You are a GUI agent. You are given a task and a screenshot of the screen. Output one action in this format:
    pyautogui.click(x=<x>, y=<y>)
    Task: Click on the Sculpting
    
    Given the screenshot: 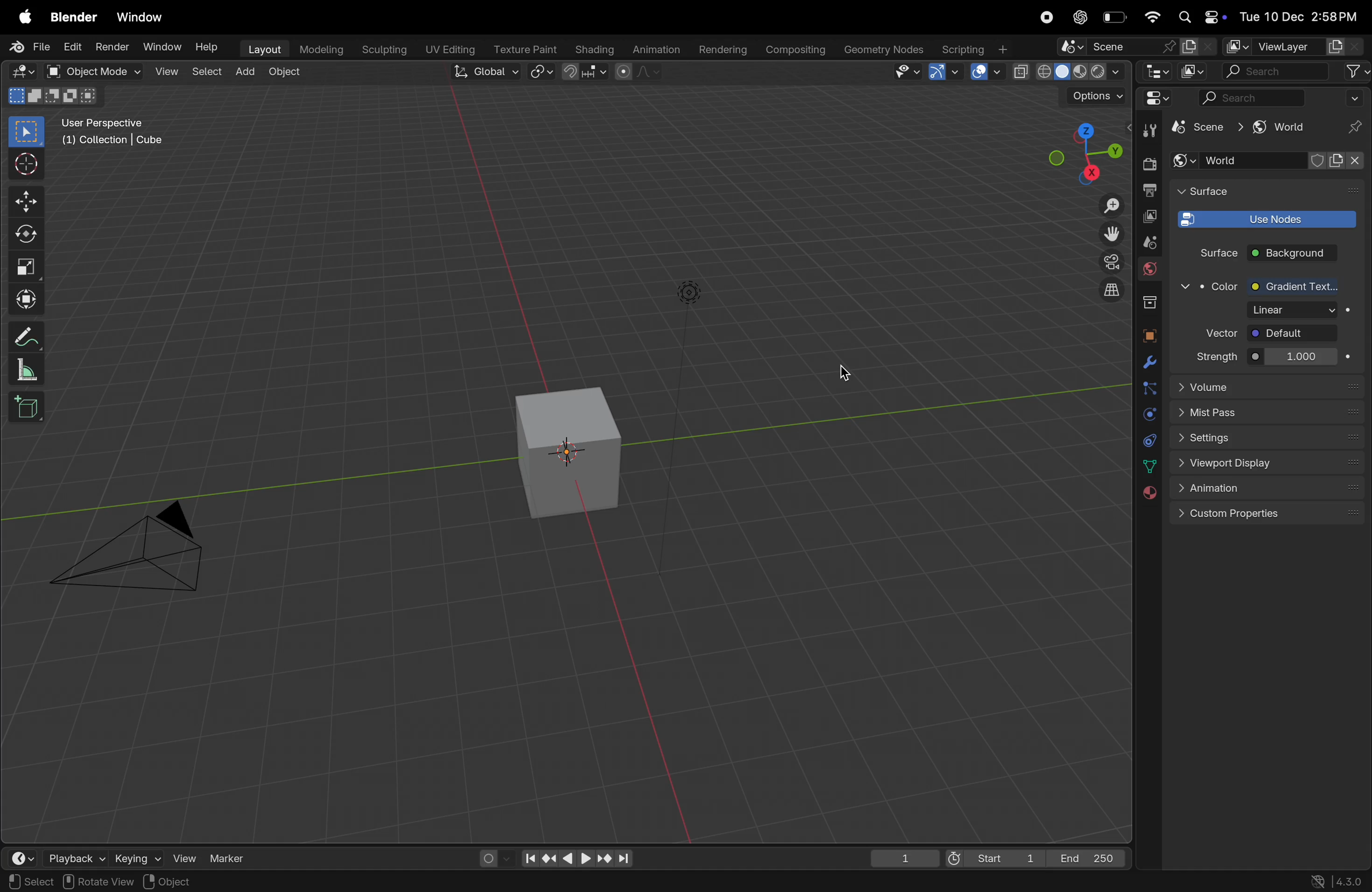 What is the action you would take?
    pyautogui.click(x=383, y=50)
    